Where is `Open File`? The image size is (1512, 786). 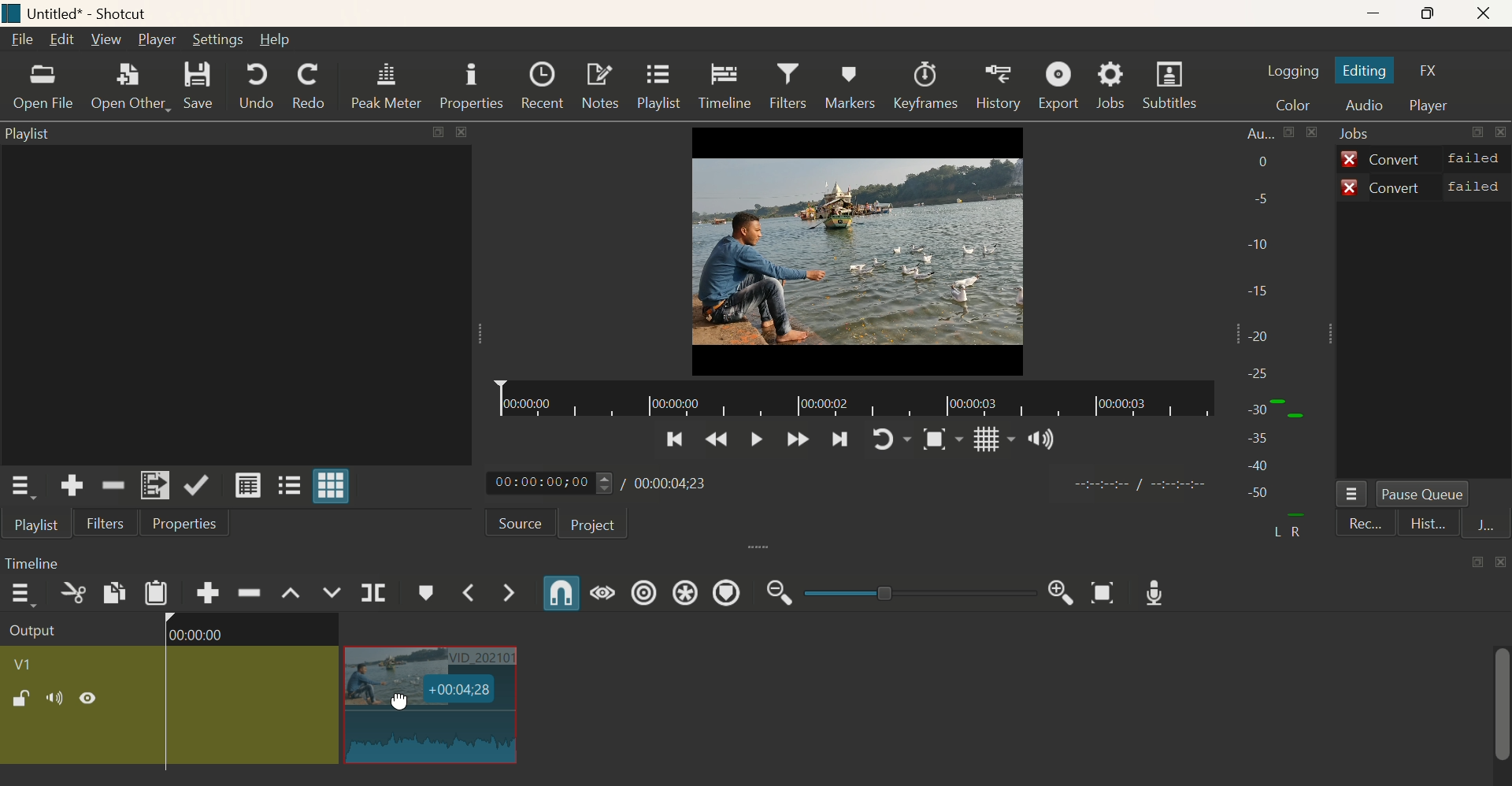
Open File is located at coordinates (41, 91).